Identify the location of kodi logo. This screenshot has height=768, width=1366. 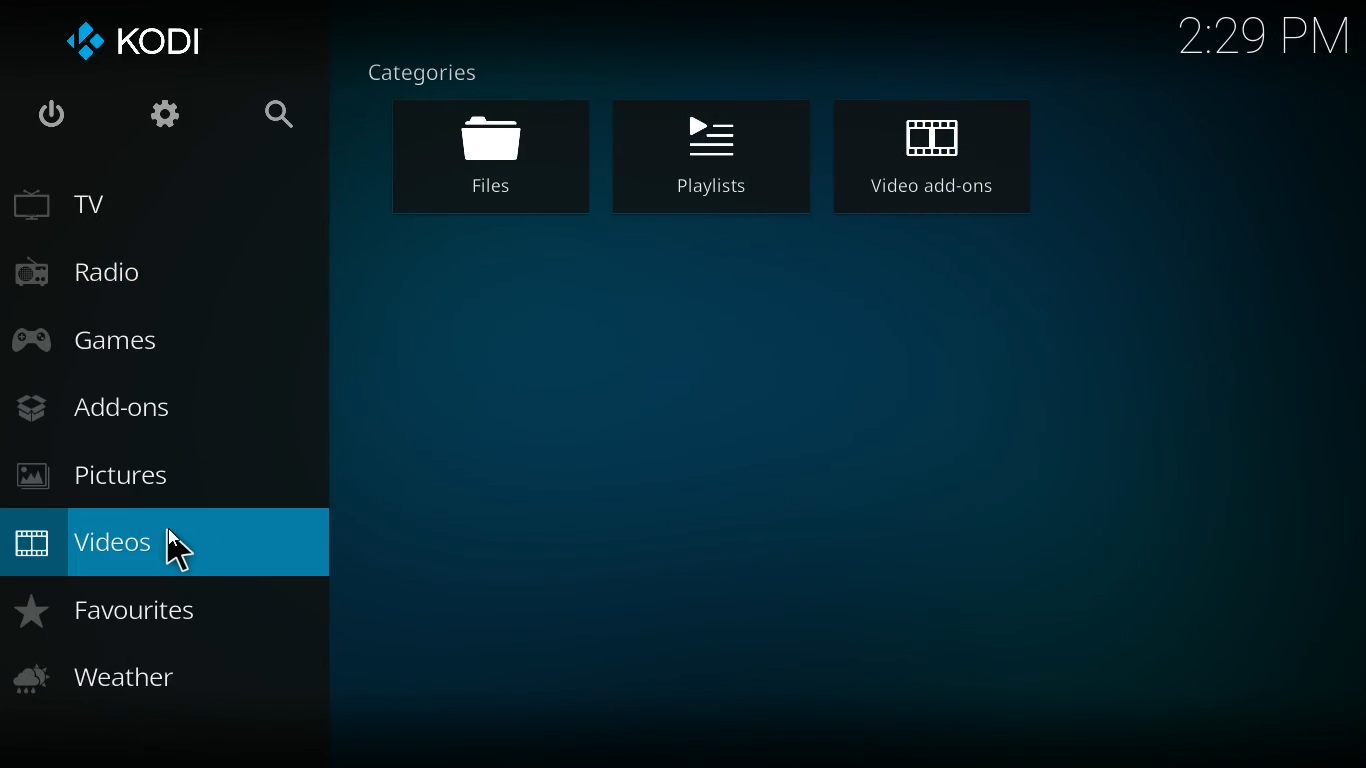
(131, 39).